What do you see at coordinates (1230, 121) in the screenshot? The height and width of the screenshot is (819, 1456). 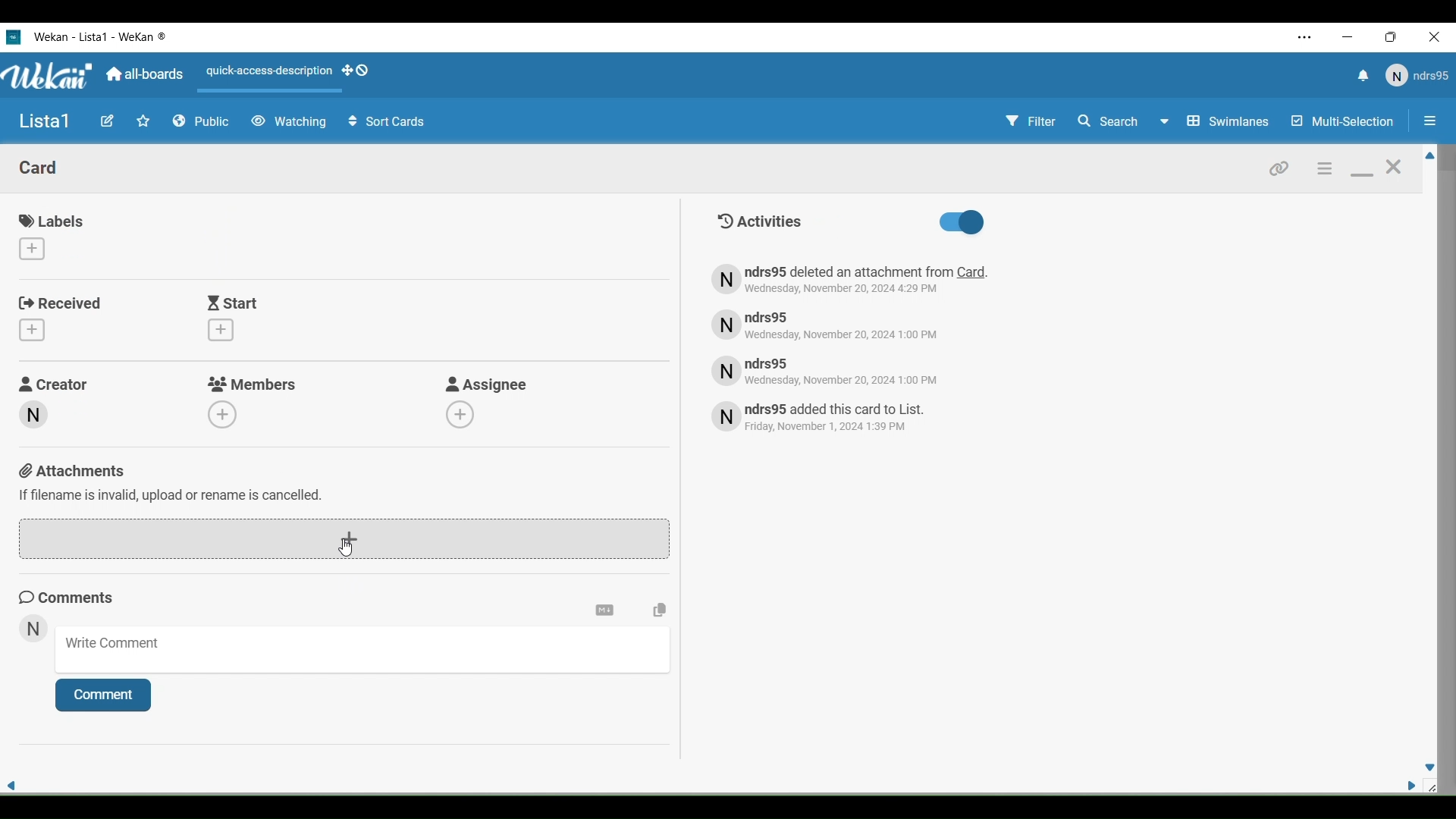 I see `Swimlines` at bounding box center [1230, 121].